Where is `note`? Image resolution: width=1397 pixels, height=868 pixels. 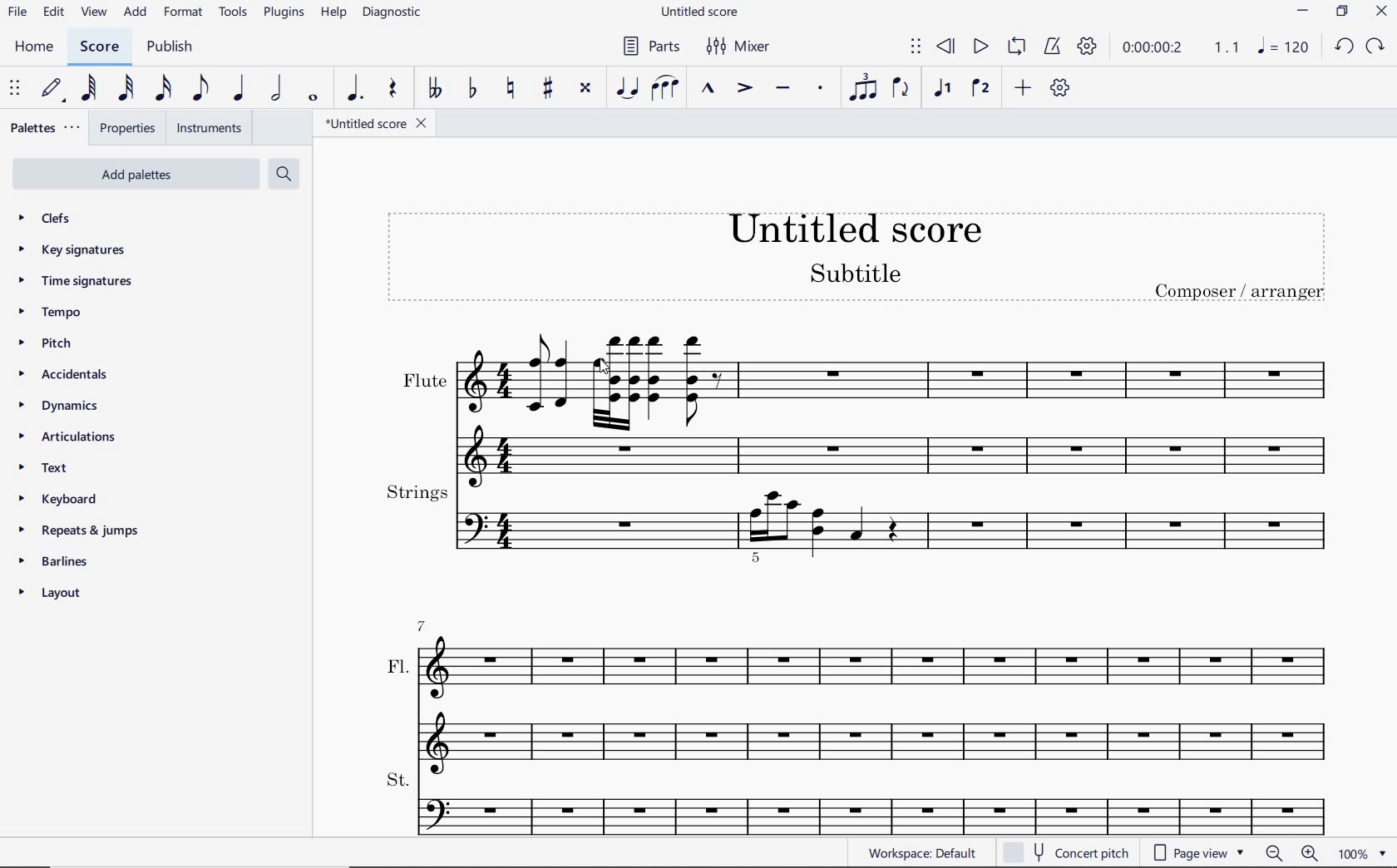 note is located at coordinates (1286, 48).